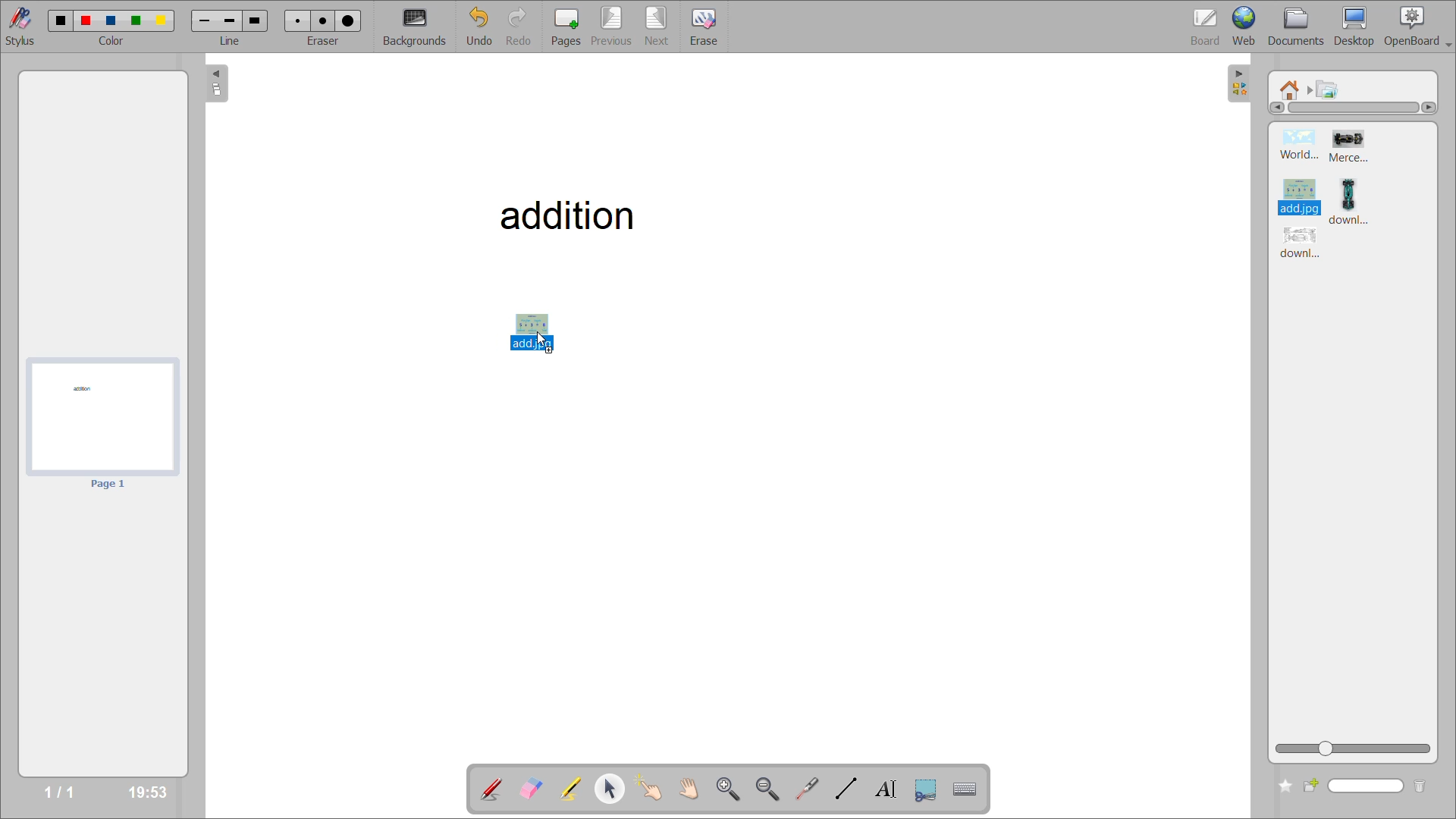 The height and width of the screenshot is (819, 1456). What do you see at coordinates (149, 789) in the screenshot?
I see `timestamp` at bounding box center [149, 789].